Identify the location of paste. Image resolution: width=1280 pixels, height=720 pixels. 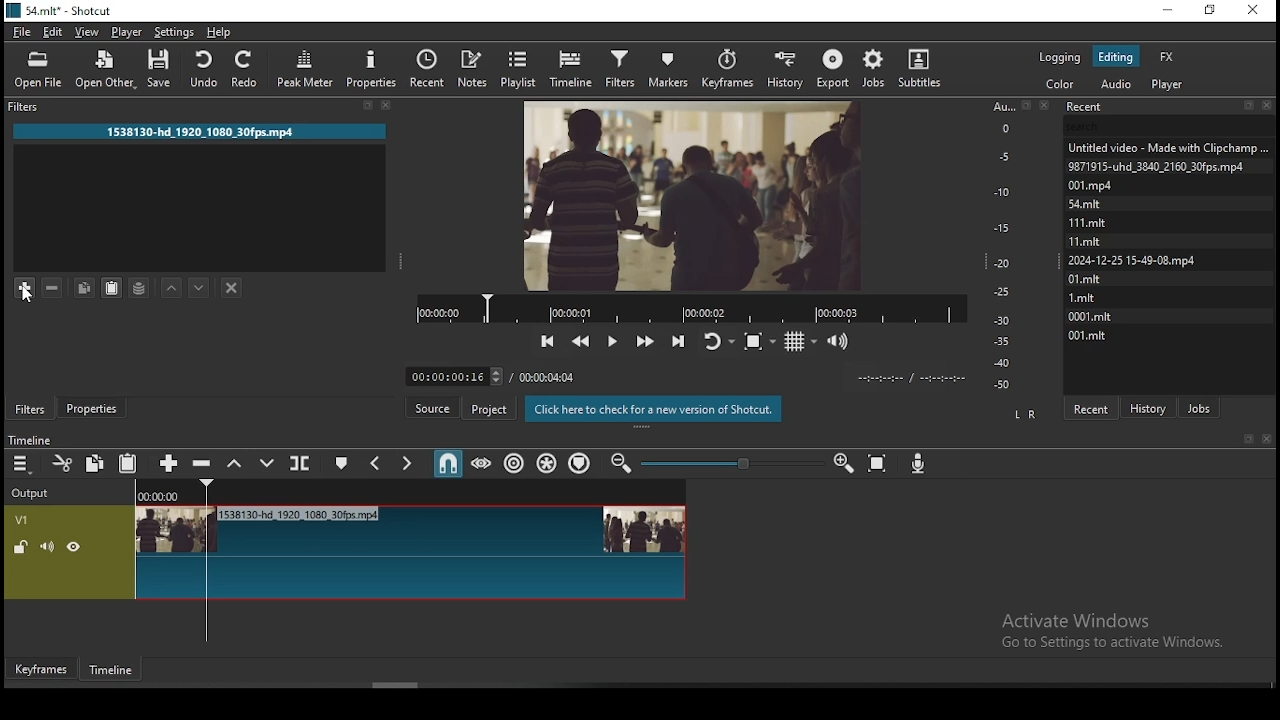
(130, 463).